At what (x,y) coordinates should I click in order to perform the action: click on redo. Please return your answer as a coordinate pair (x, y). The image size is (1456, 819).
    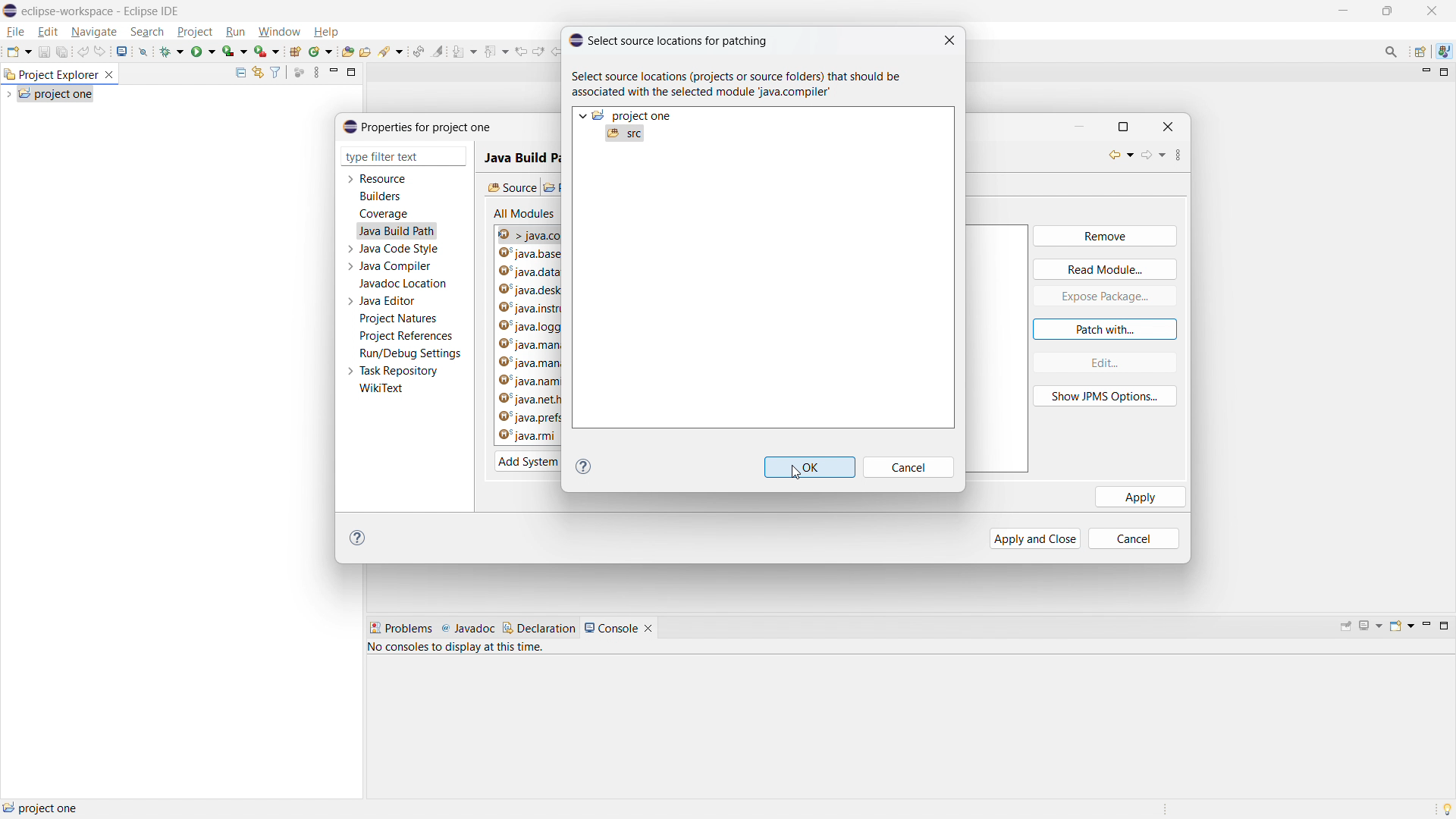
    Looking at the image, I should click on (101, 51).